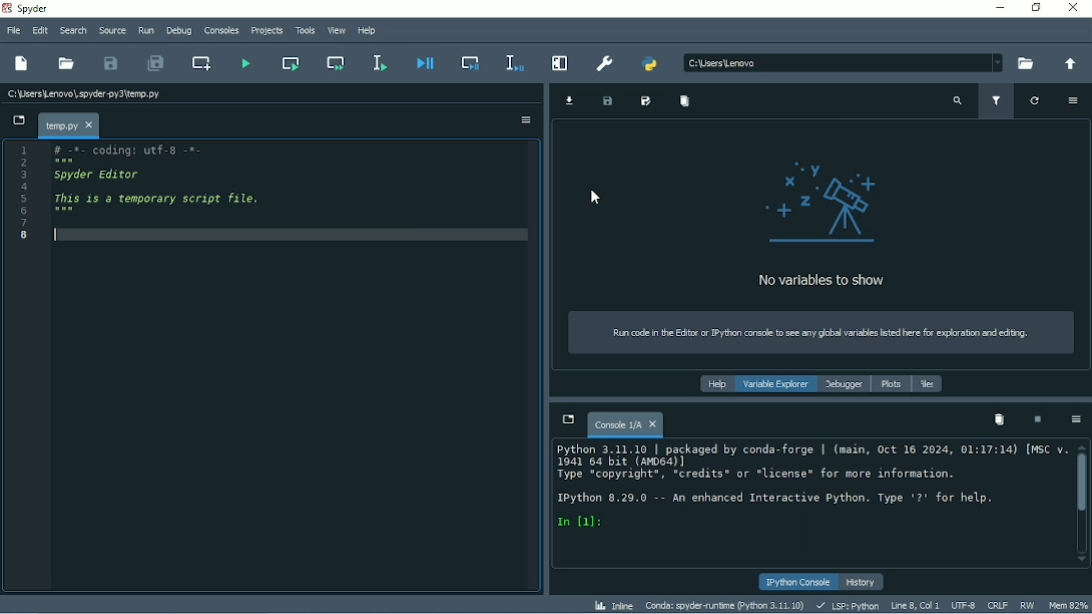 Image resolution: width=1092 pixels, height=614 pixels. What do you see at coordinates (1082, 483) in the screenshot?
I see `Vertical scrollbar` at bounding box center [1082, 483].